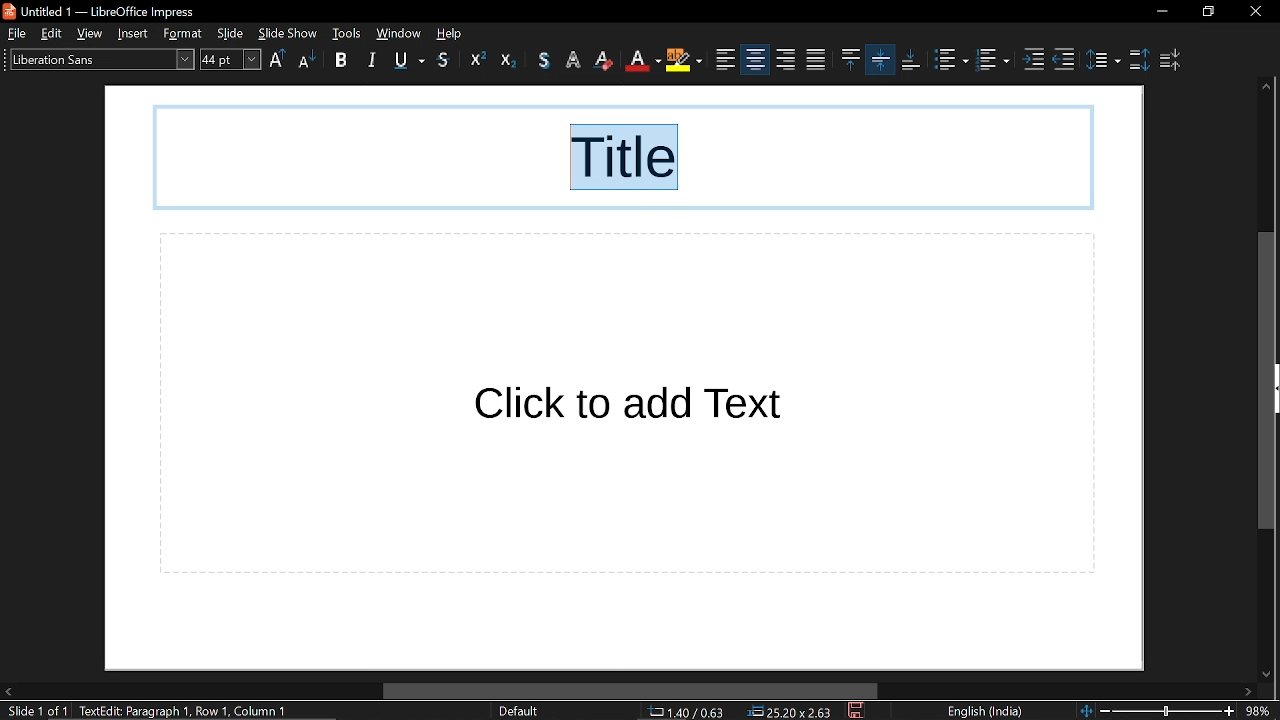 The height and width of the screenshot is (720, 1280). Describe the element at coordinates (1261, 711) in the screenshot. I see `current zoom` at that location.